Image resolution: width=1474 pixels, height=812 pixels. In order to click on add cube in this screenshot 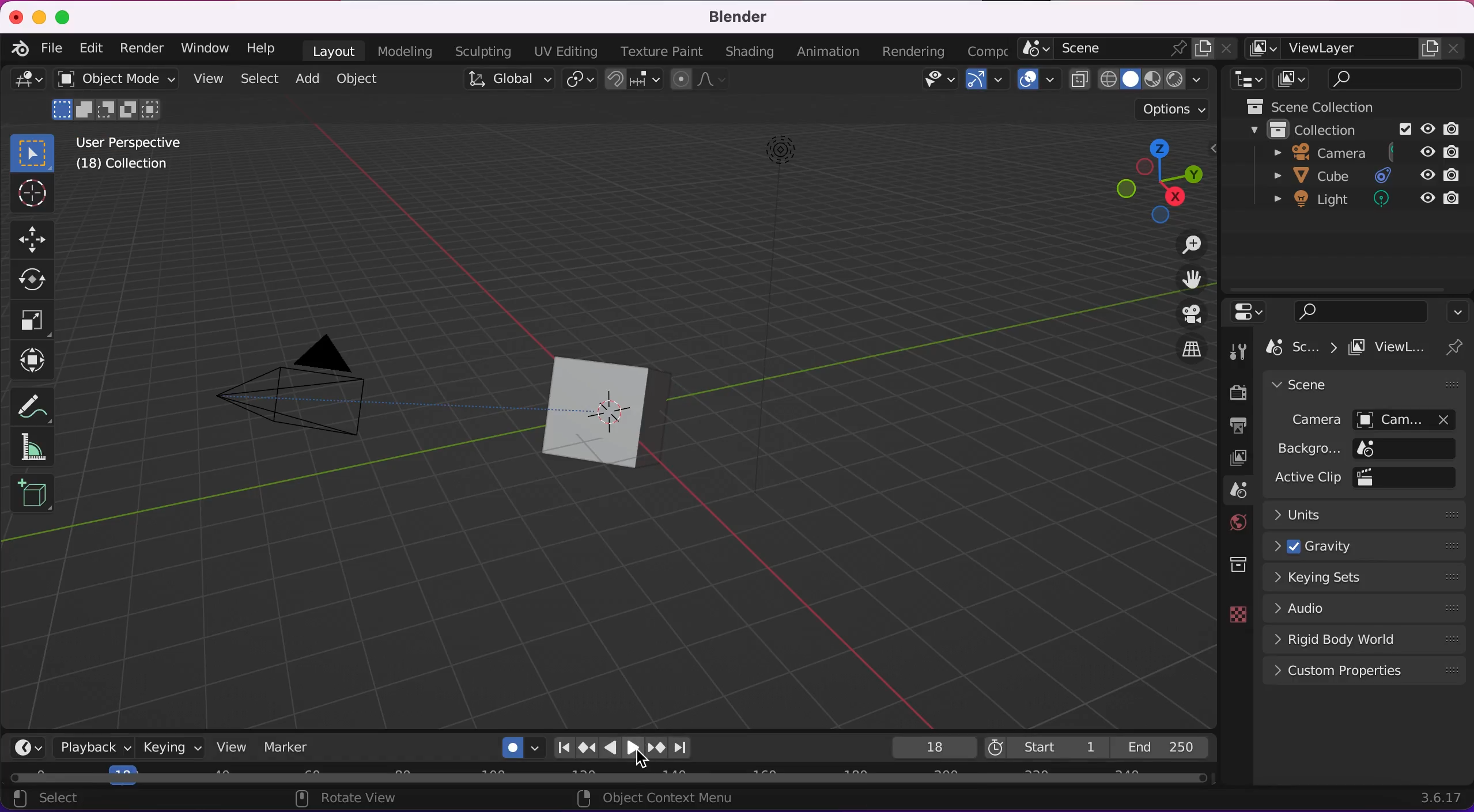, I will do `click(31, 492)`.